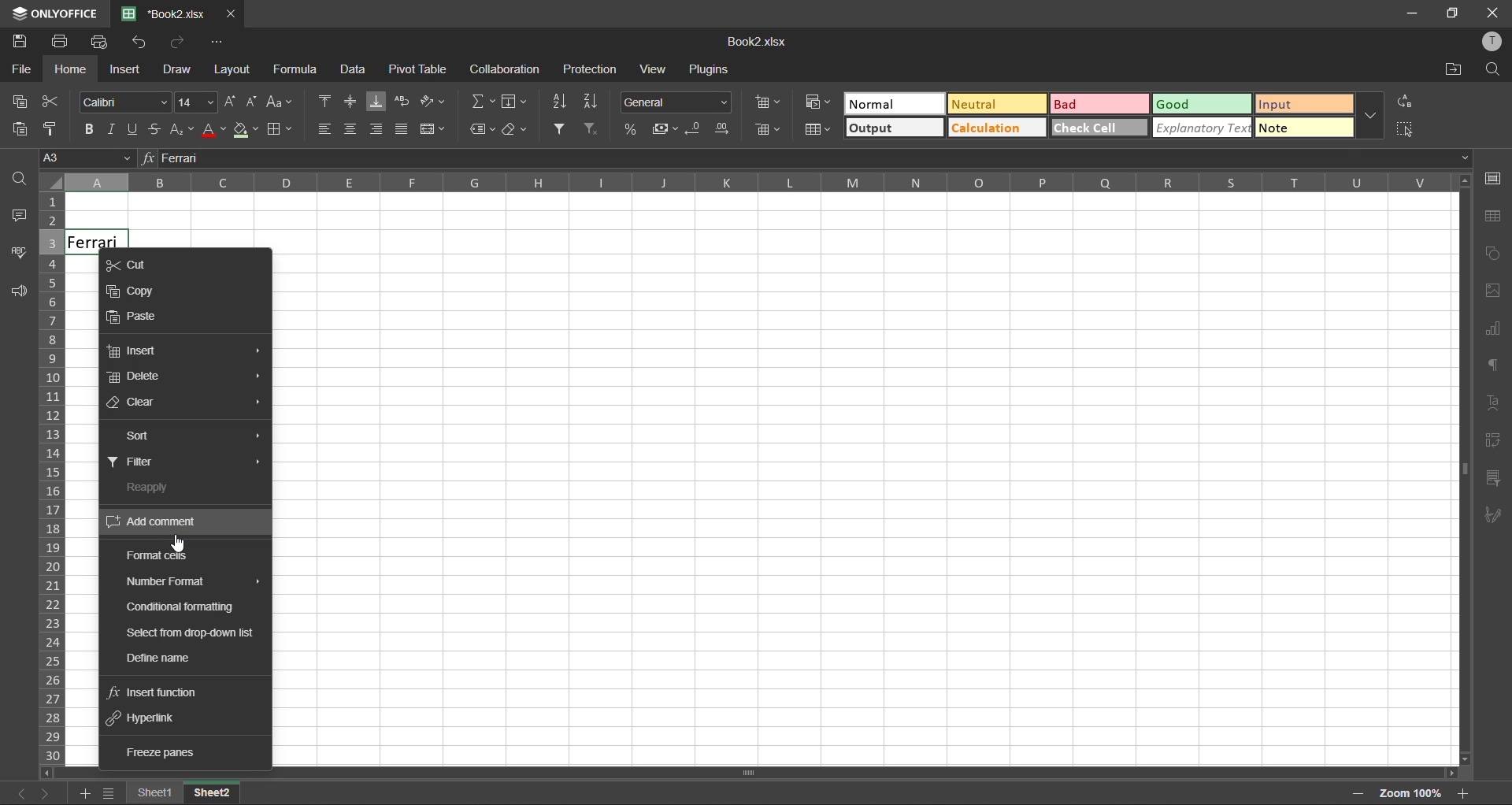 The width and height of the screenshot is (1512, 805). What do you see at coordinates (112, 129) in the screenshot?
I see `italic` at bounding box center [112, 129].